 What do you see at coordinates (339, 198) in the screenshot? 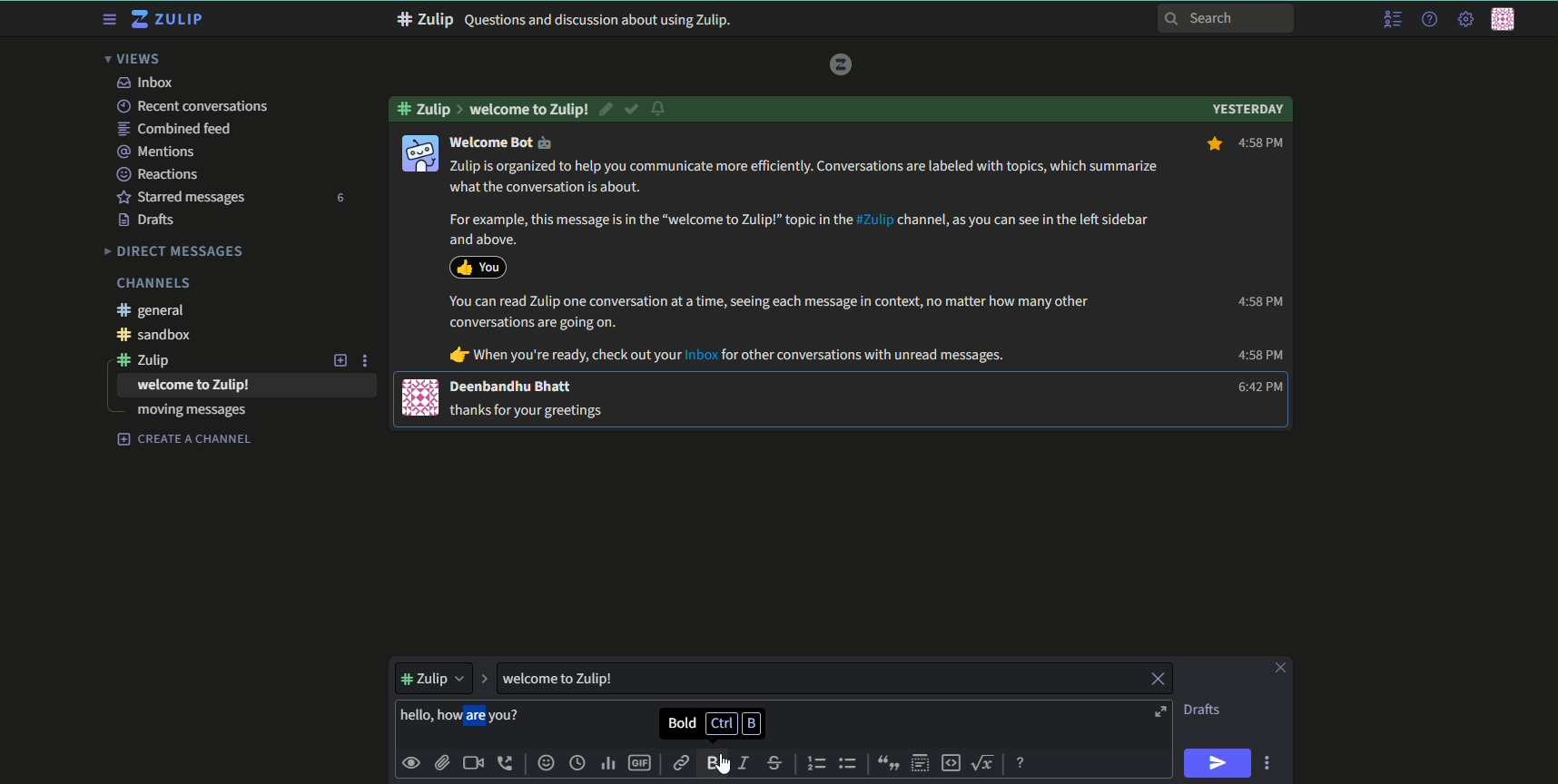
I see `number` at bounding box center [339, 198].